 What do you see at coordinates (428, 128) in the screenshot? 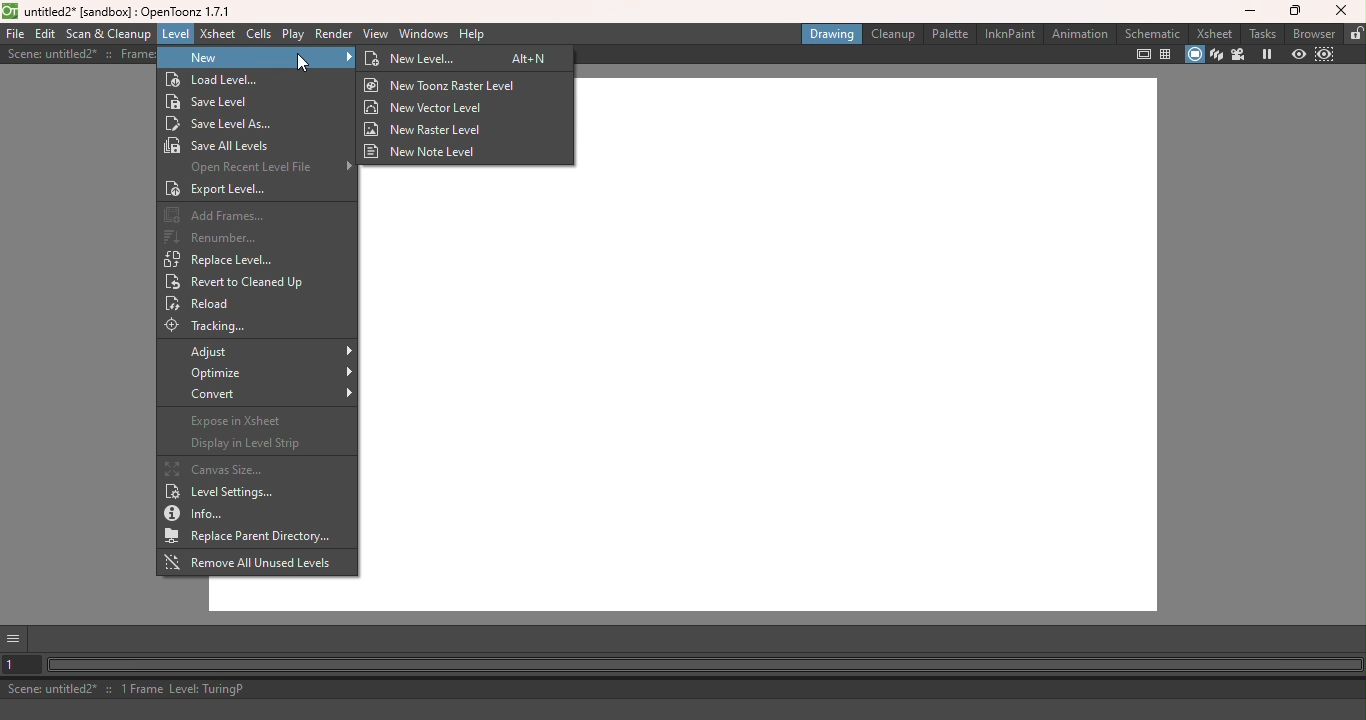
I see `New raster level` at bounding box center [428, 128].